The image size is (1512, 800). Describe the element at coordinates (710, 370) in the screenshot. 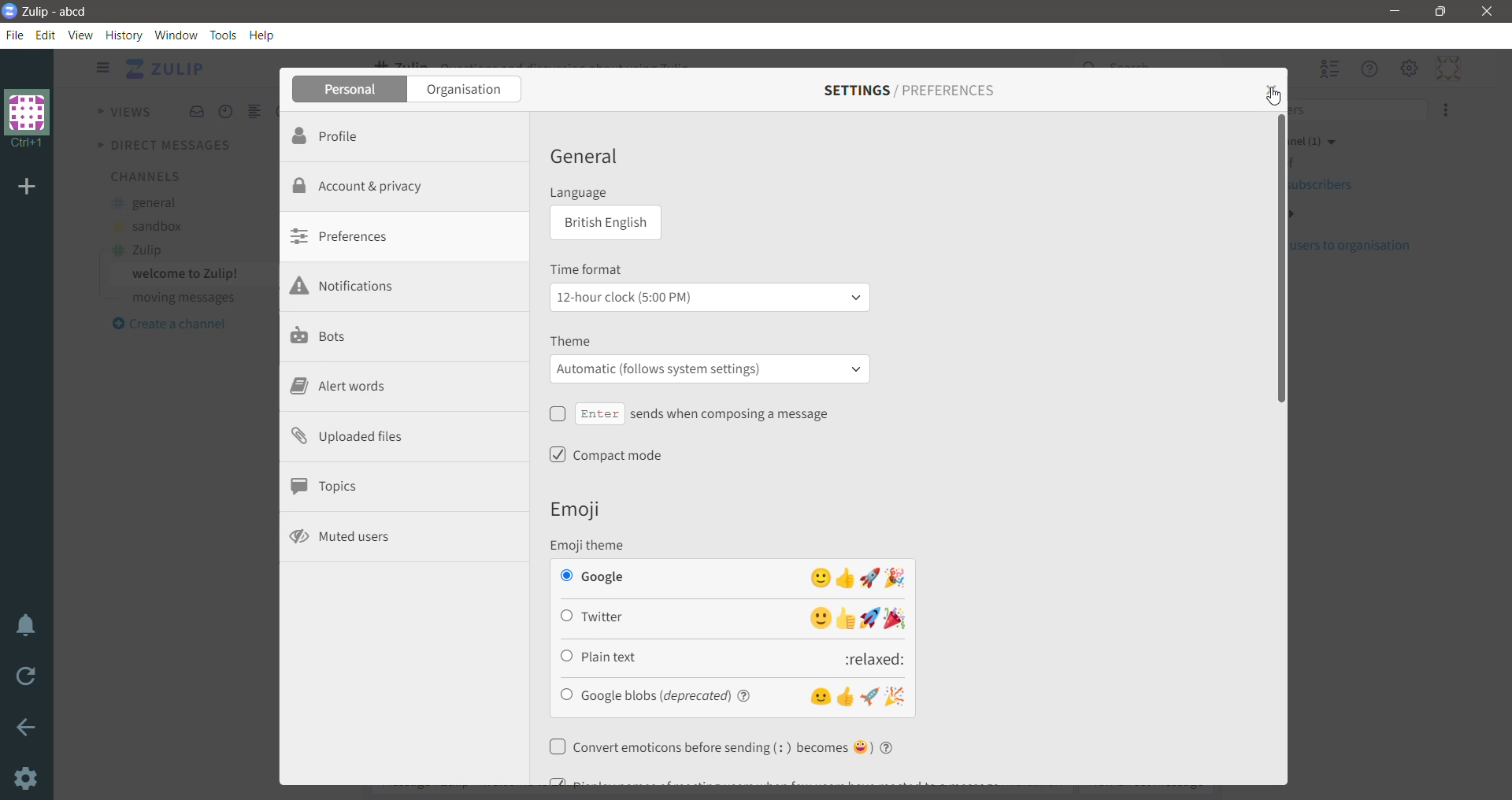

I see `Automatic (follow system settings)` at that location.